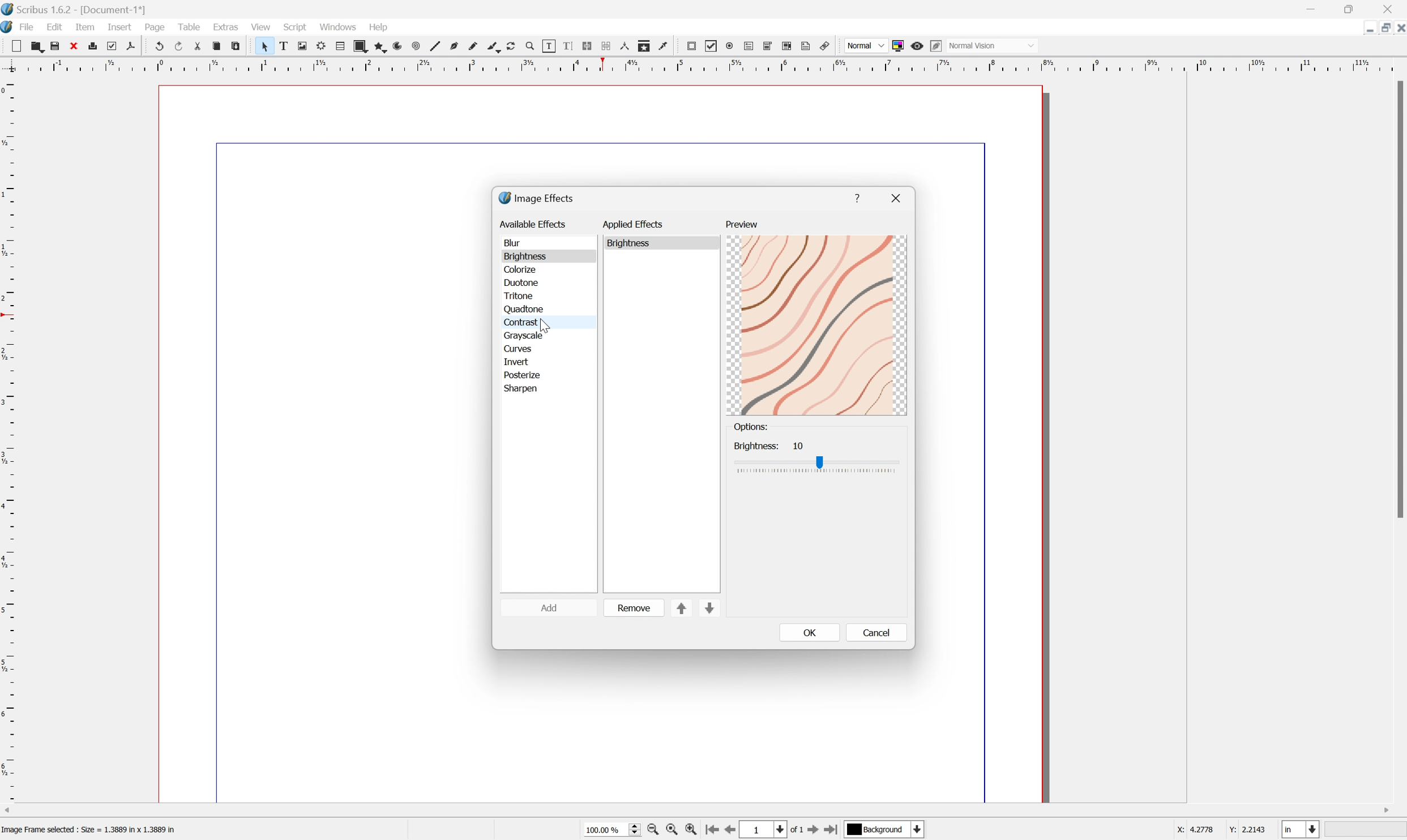 This screenshot has width=1407, height=840. I want to click on Copy, so click(216, 46).